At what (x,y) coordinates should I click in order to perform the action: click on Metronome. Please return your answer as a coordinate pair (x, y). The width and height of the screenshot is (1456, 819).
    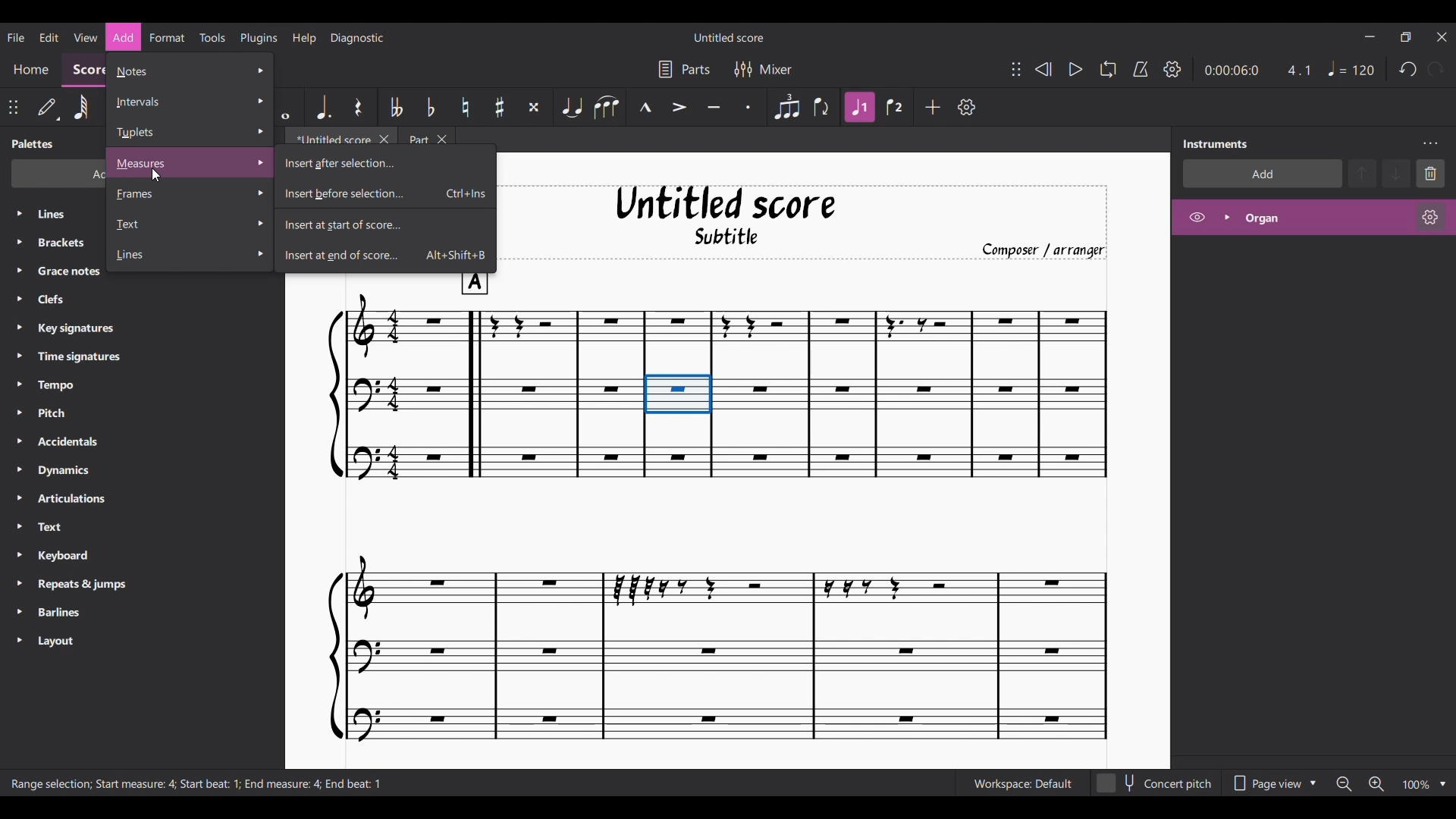
    Looking at the image, I should click on (1140, 70).